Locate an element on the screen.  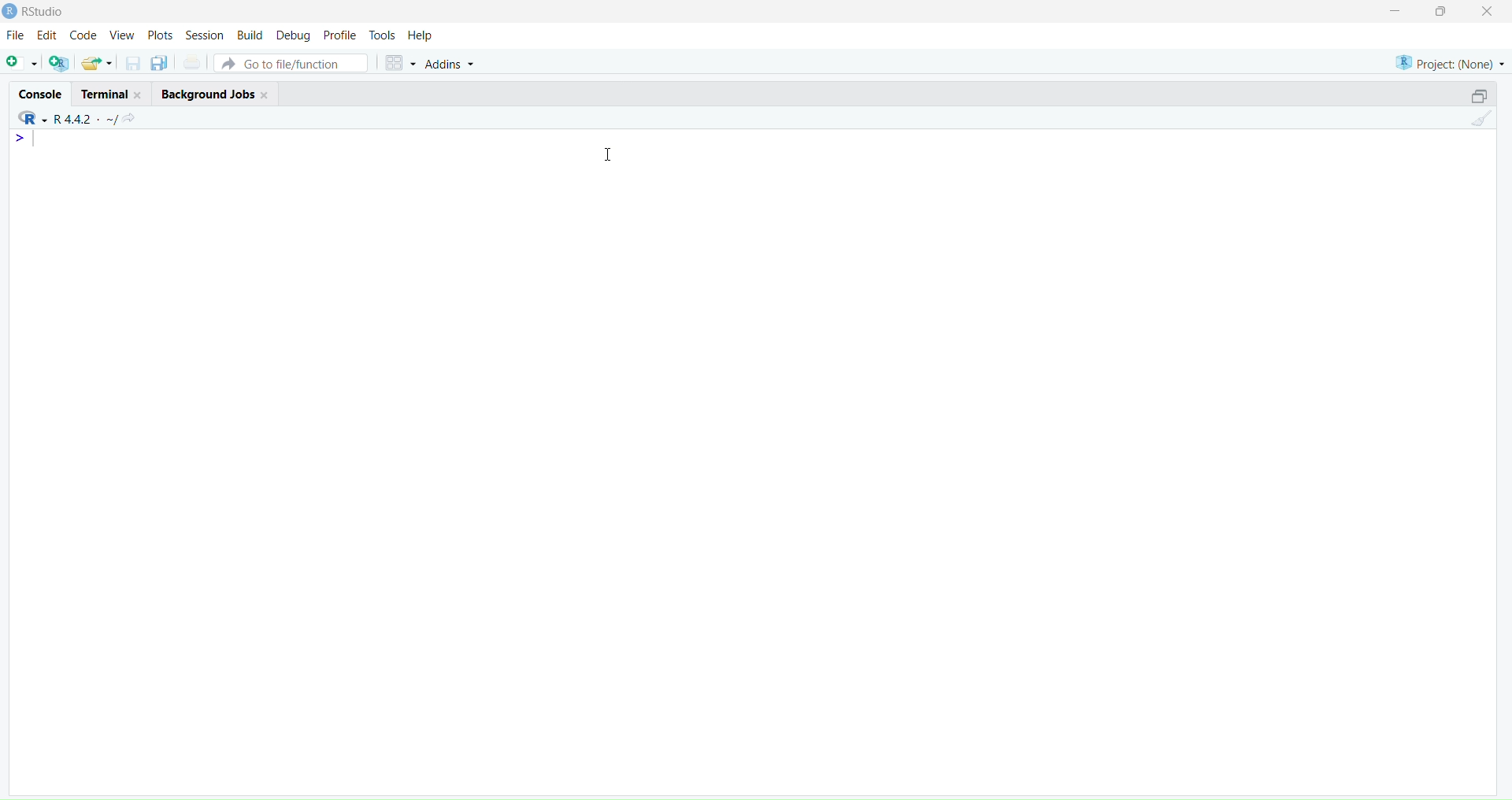
add multiple scripts is located at coordinates (60, 65).